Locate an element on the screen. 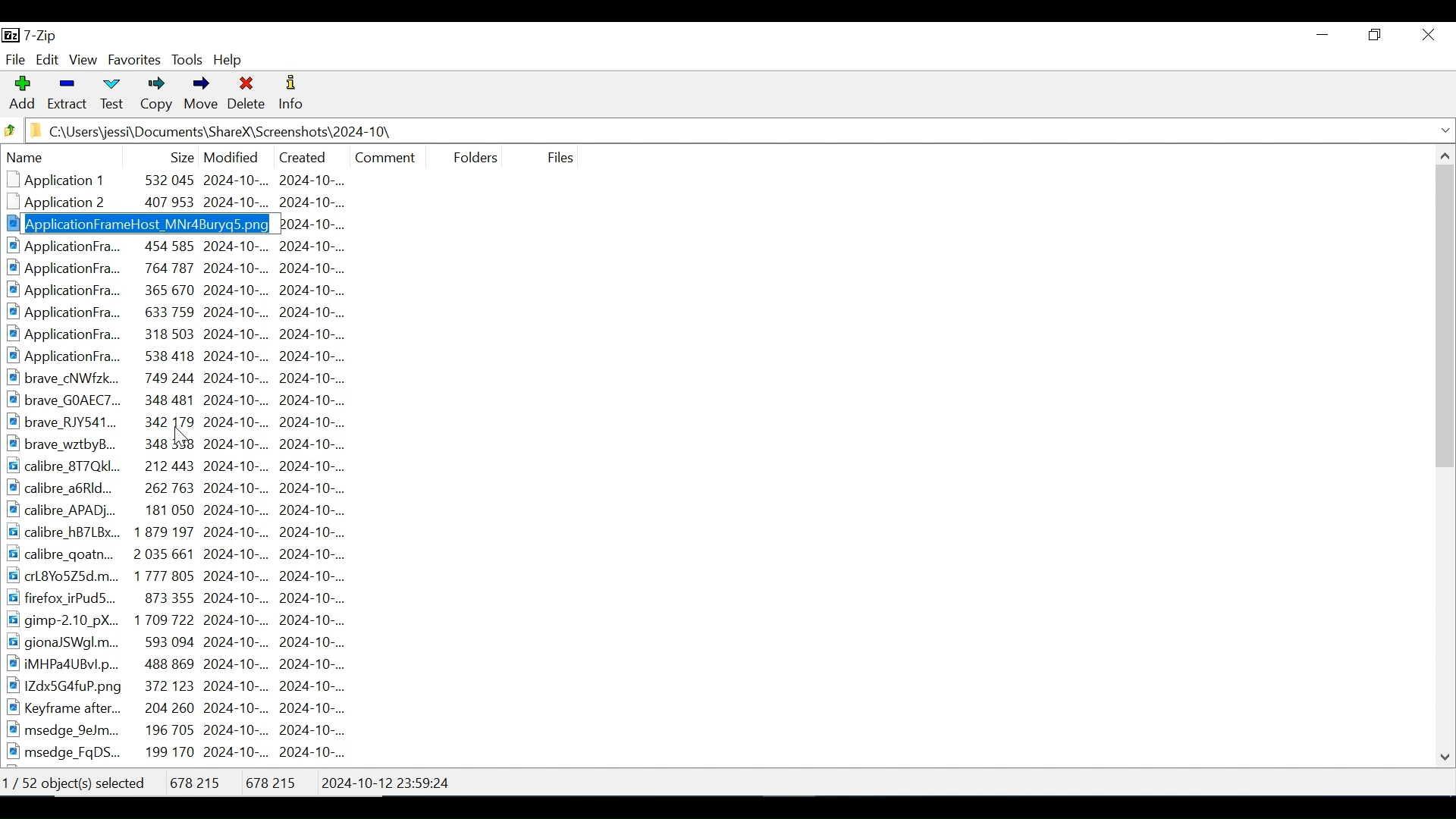 The width and height of the screenshot is (1456, 819). Tools is located at coordinates (188, 60).